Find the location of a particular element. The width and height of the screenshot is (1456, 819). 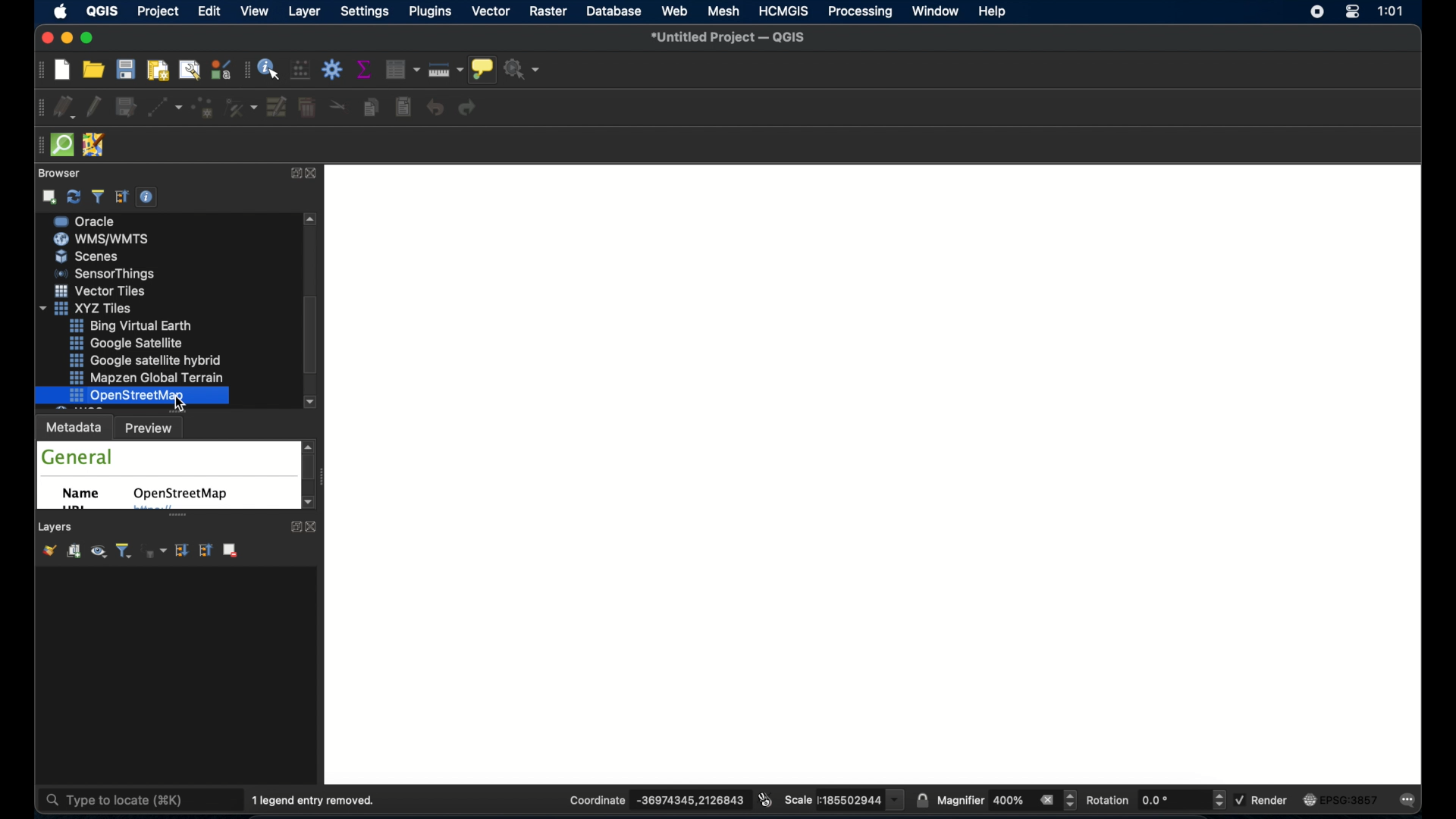

HCMGIS is located at coordinates (783, 11).